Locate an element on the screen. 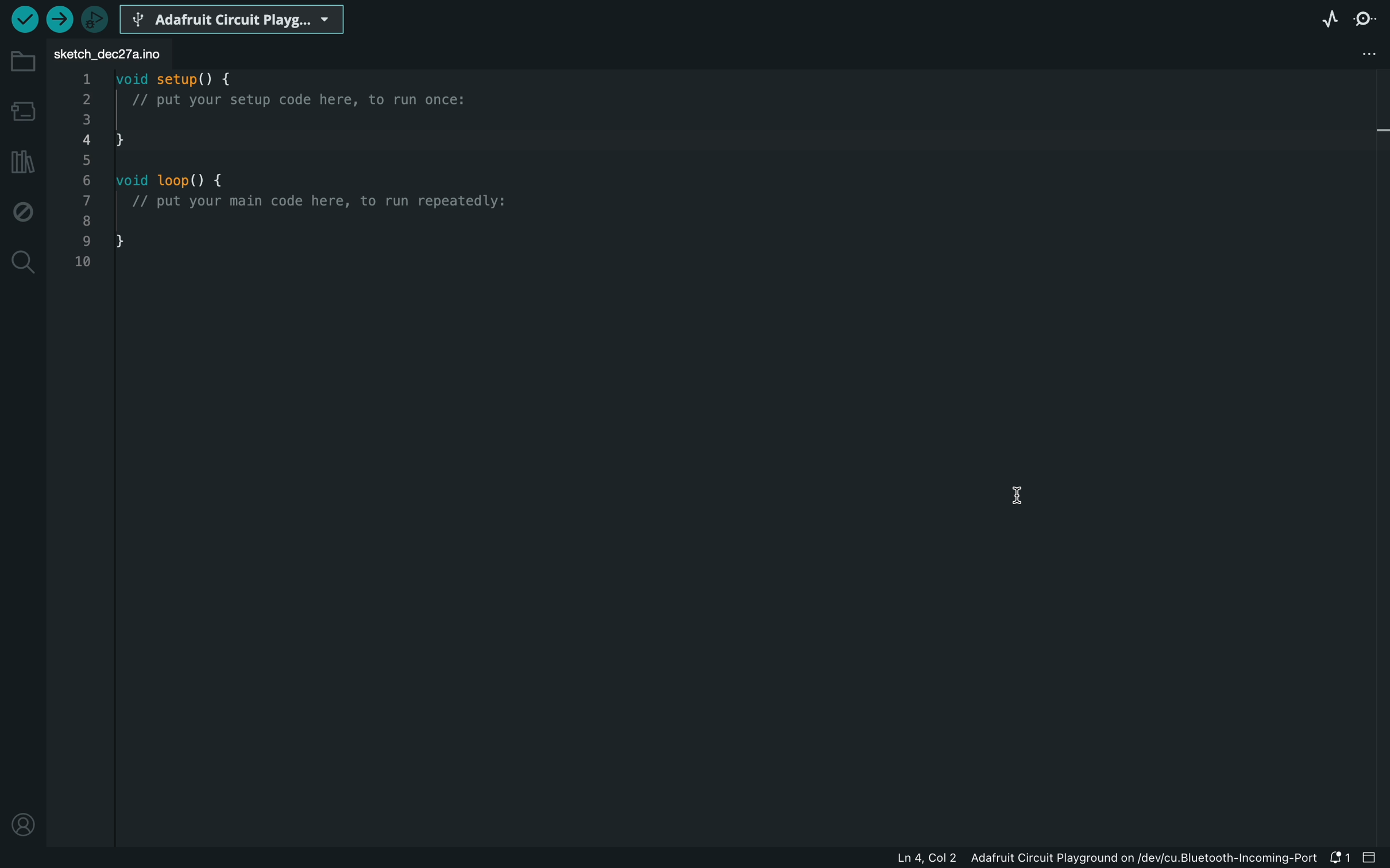  cursor is located at coordinates (1022, 493).